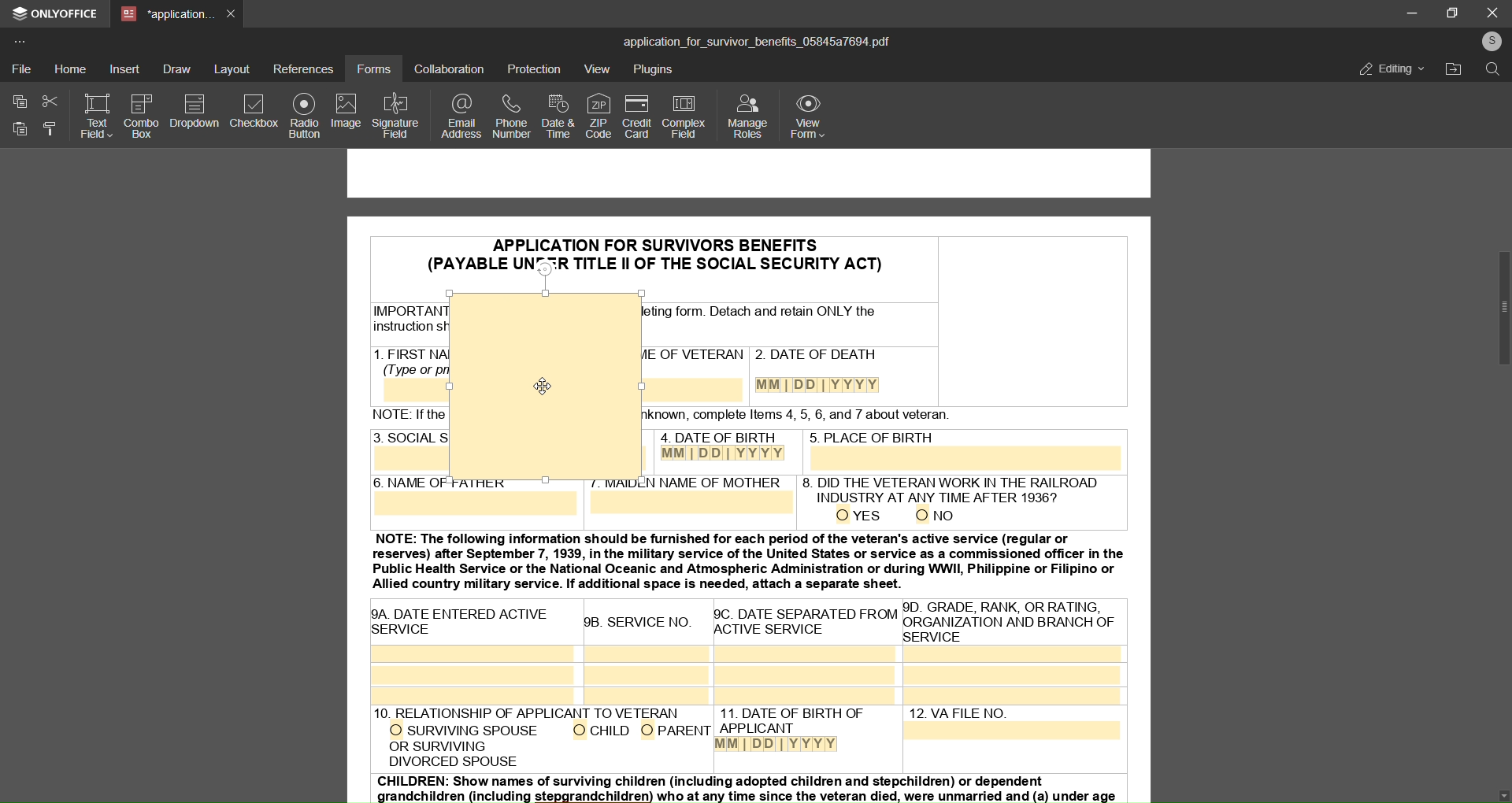 The width and height of the screenshot is (1512, 803). Describe the element at coordinates (19, 130) in the screenshot. I see `paste` at that location.